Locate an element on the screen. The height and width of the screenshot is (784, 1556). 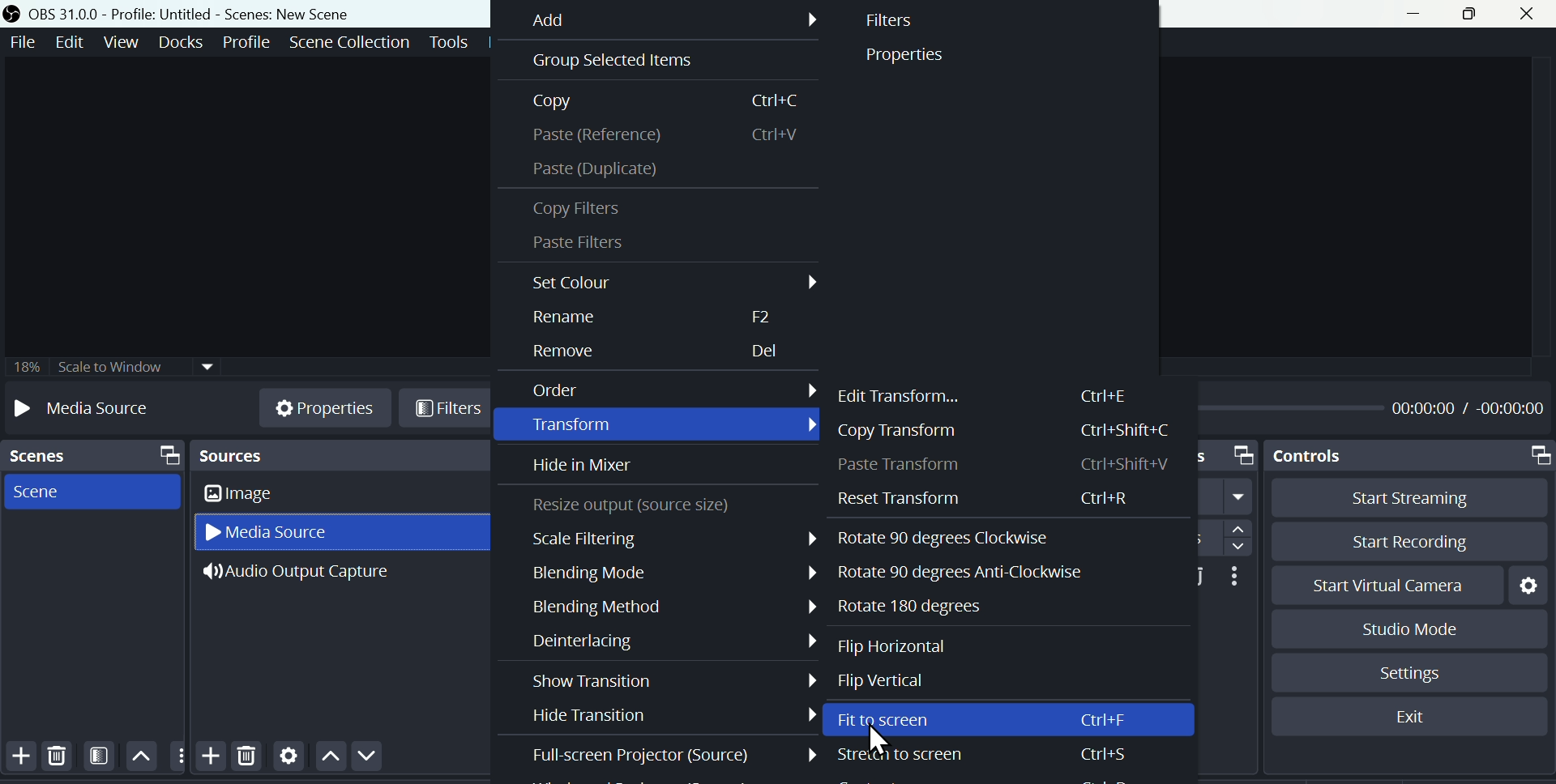
Move up is located at coordinates (327, 760).